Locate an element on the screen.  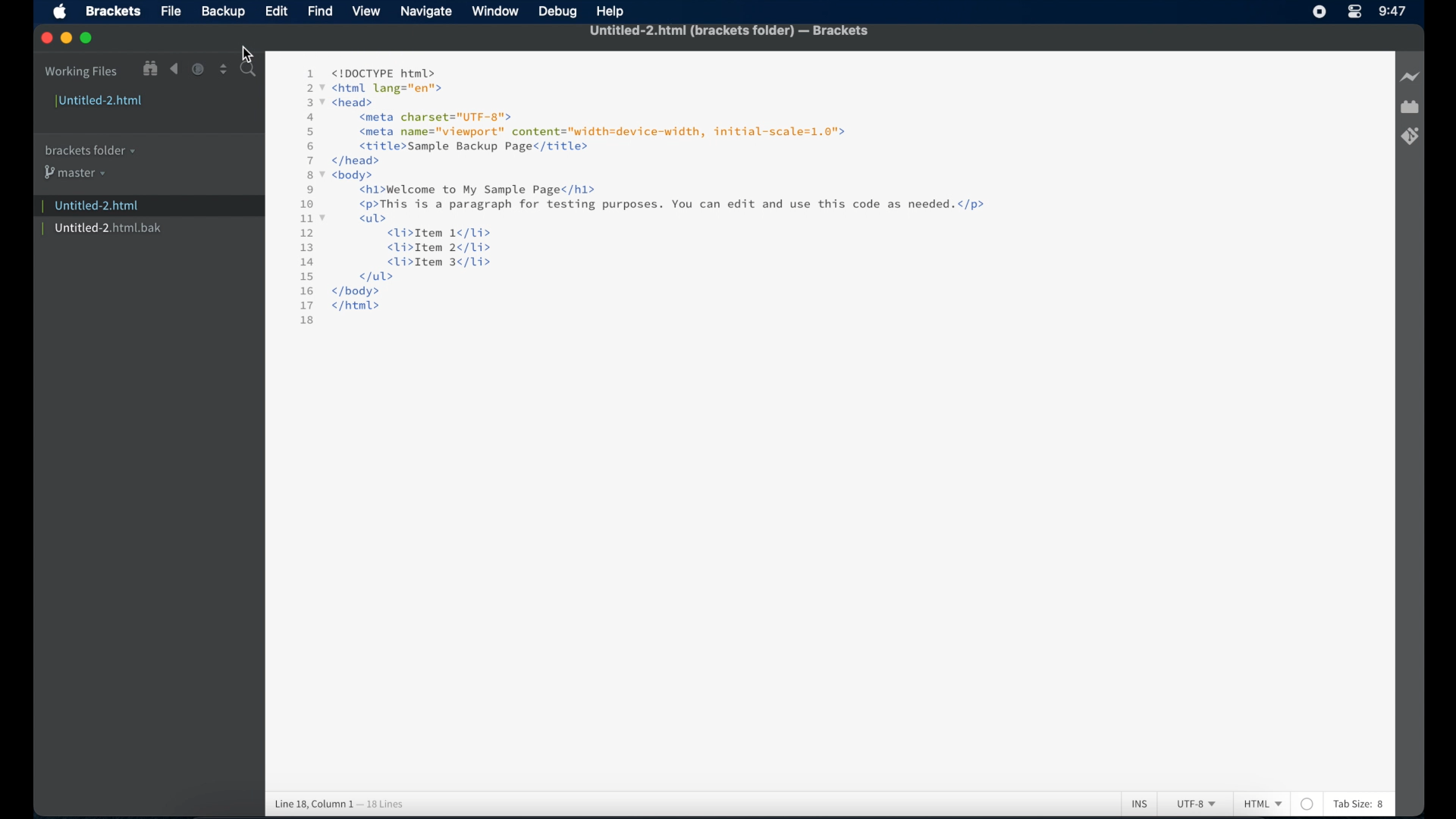
brackets is located at coordinates (114, 11).